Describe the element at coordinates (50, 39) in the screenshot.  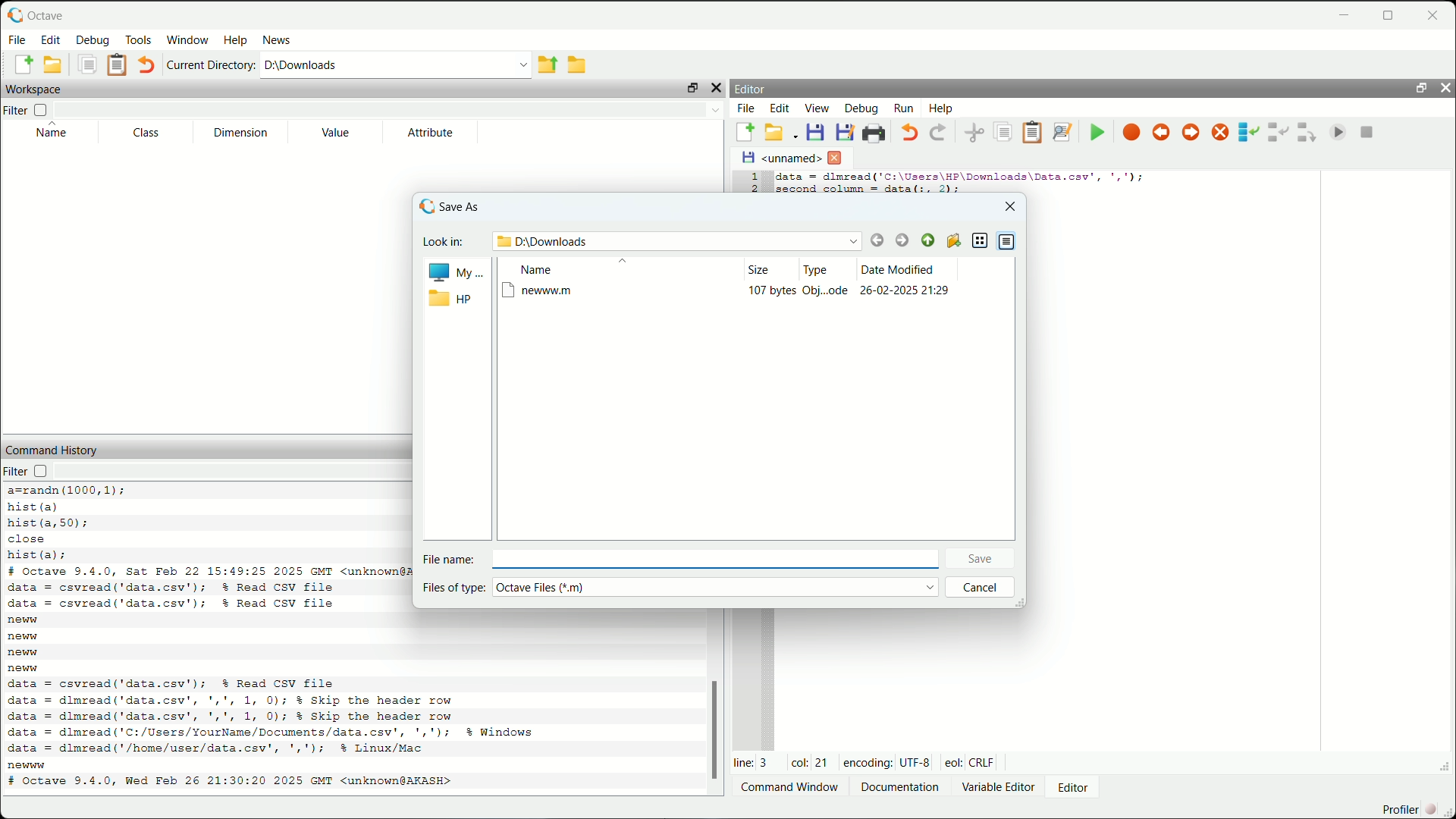
I see `edit` at that location.